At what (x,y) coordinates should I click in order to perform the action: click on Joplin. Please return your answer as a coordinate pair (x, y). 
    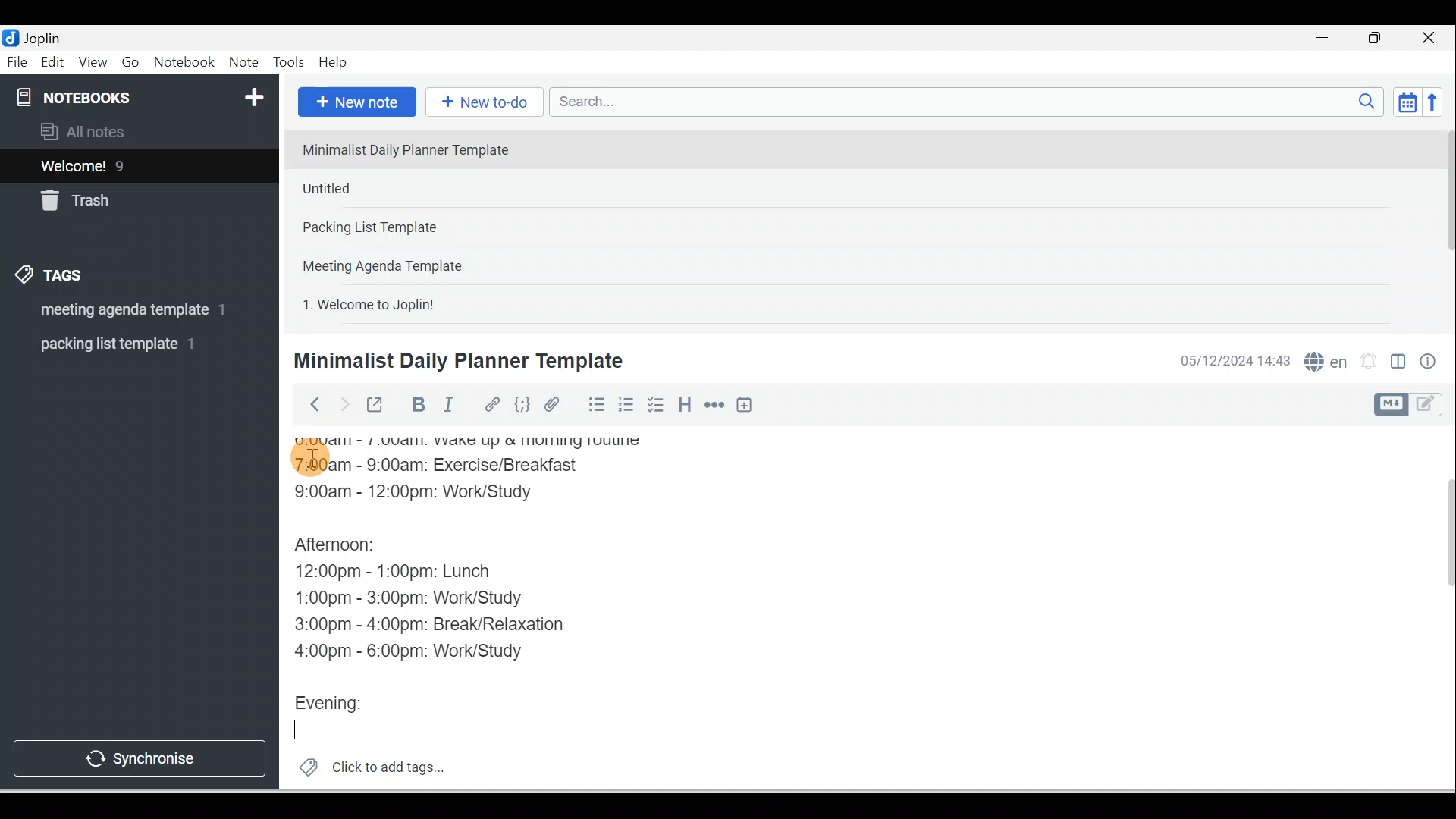
    Looking at the image, I should click on (46, 36).